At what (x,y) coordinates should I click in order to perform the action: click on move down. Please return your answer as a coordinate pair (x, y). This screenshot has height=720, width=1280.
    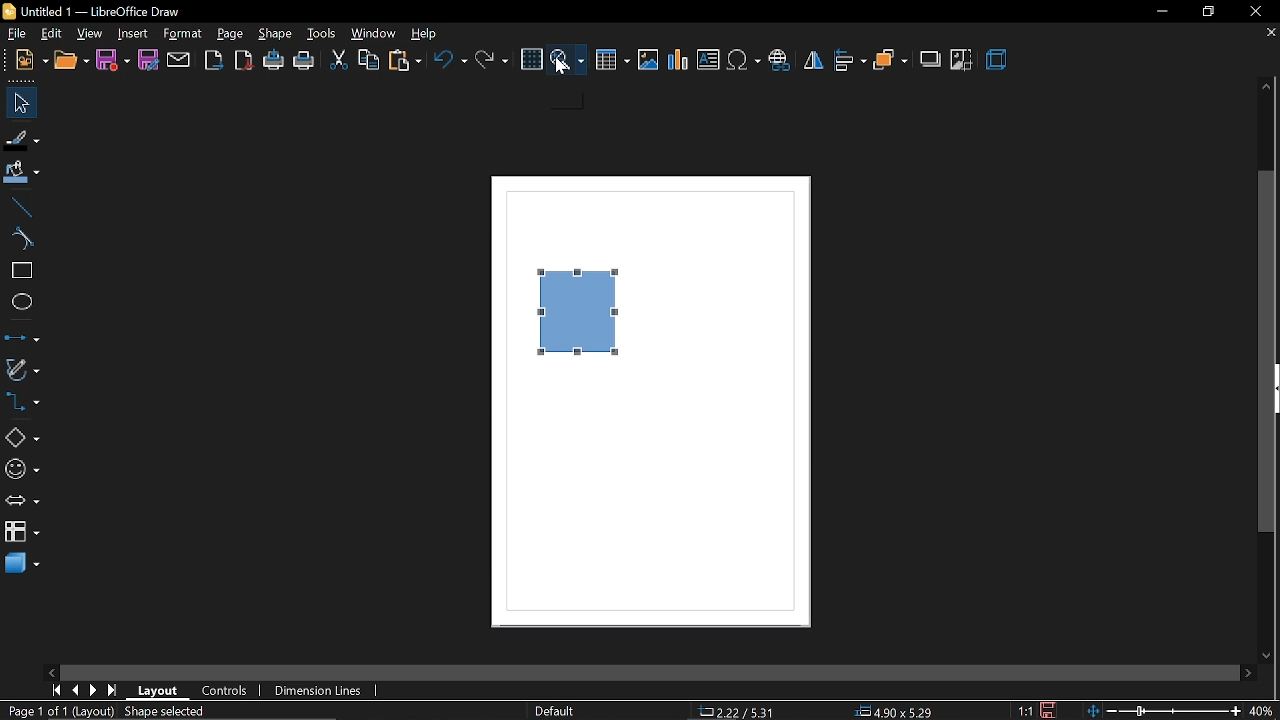
    Looking at the image, I should click on (1270, 656).